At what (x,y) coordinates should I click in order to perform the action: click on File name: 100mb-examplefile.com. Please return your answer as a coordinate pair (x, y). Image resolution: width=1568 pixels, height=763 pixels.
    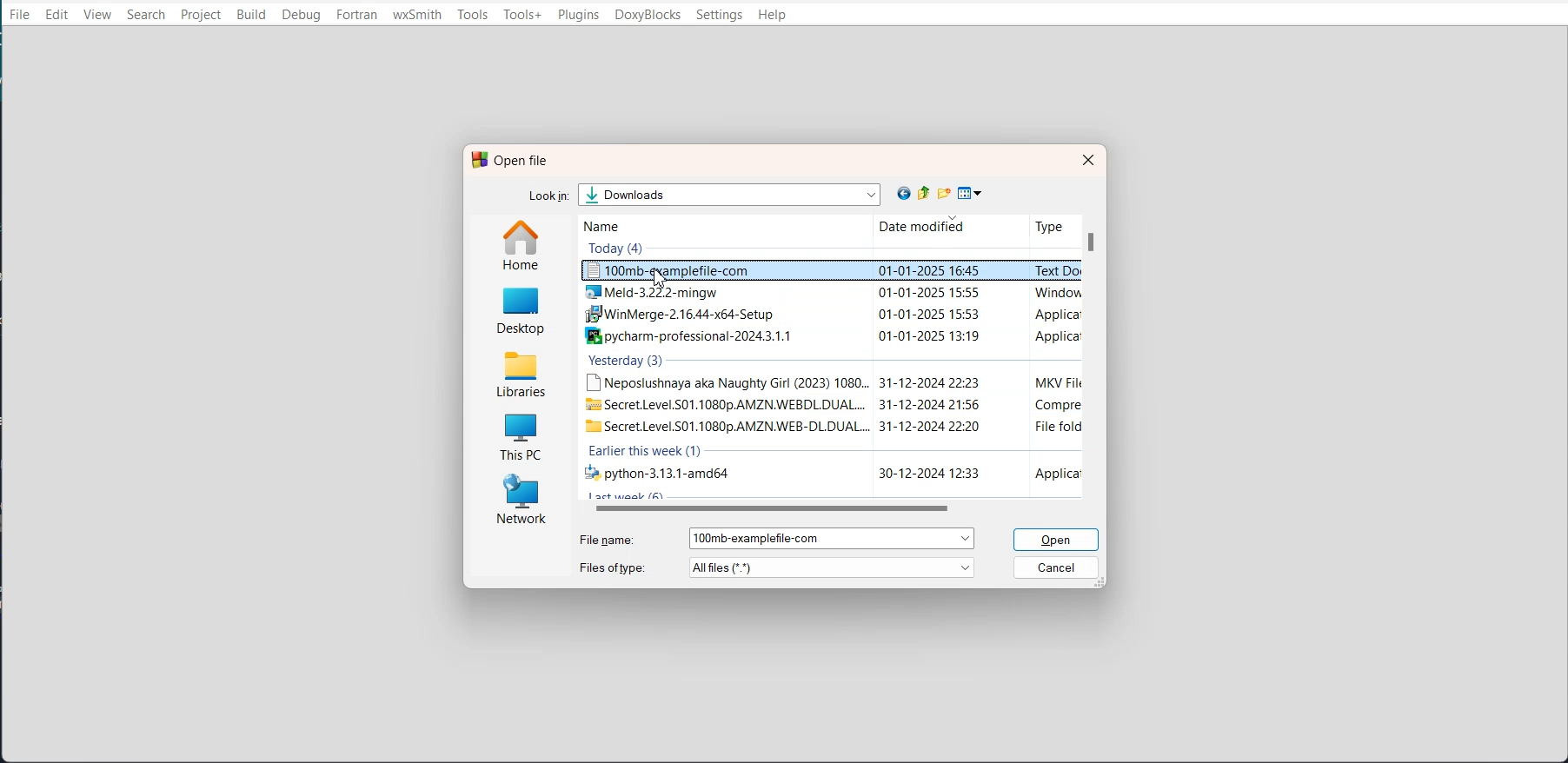
    Looking at the image, I should click on (775, 538).